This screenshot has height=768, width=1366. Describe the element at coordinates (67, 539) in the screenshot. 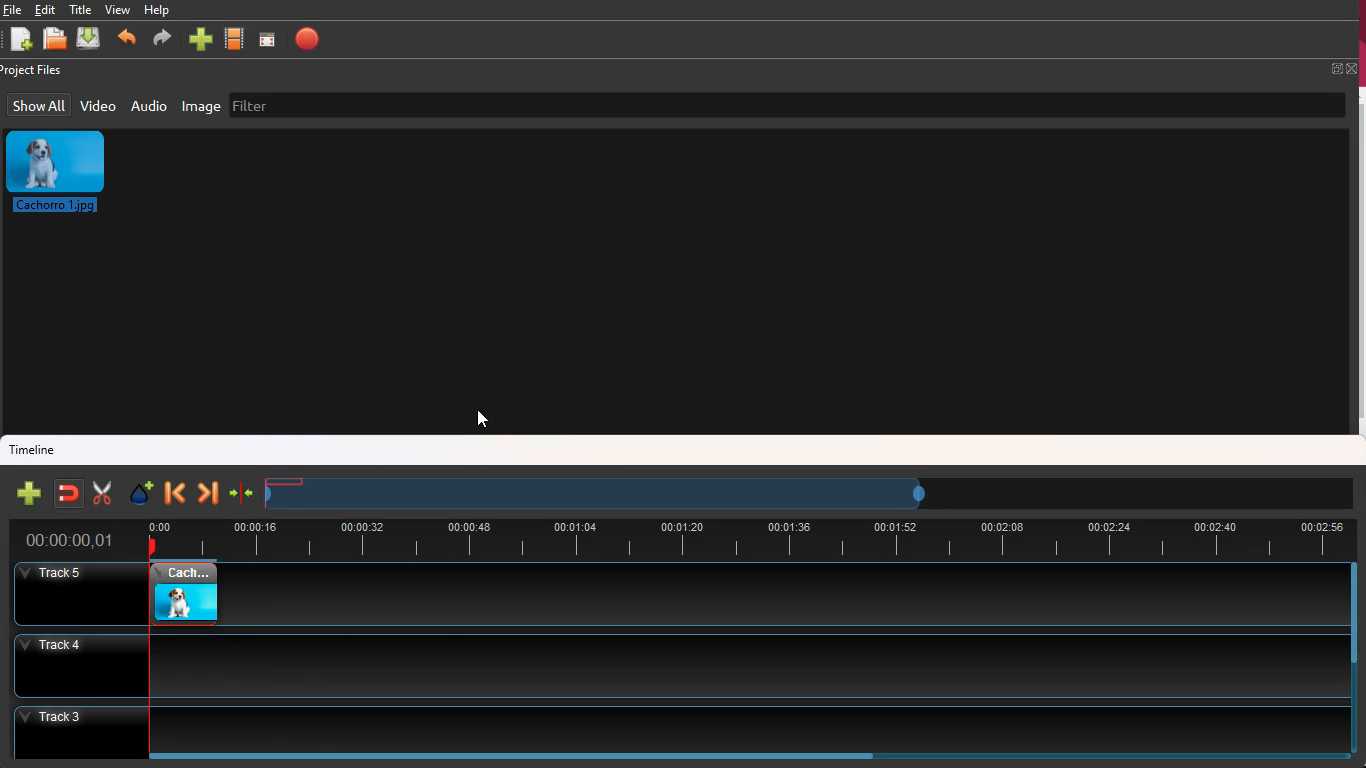

I see `time` at that location.